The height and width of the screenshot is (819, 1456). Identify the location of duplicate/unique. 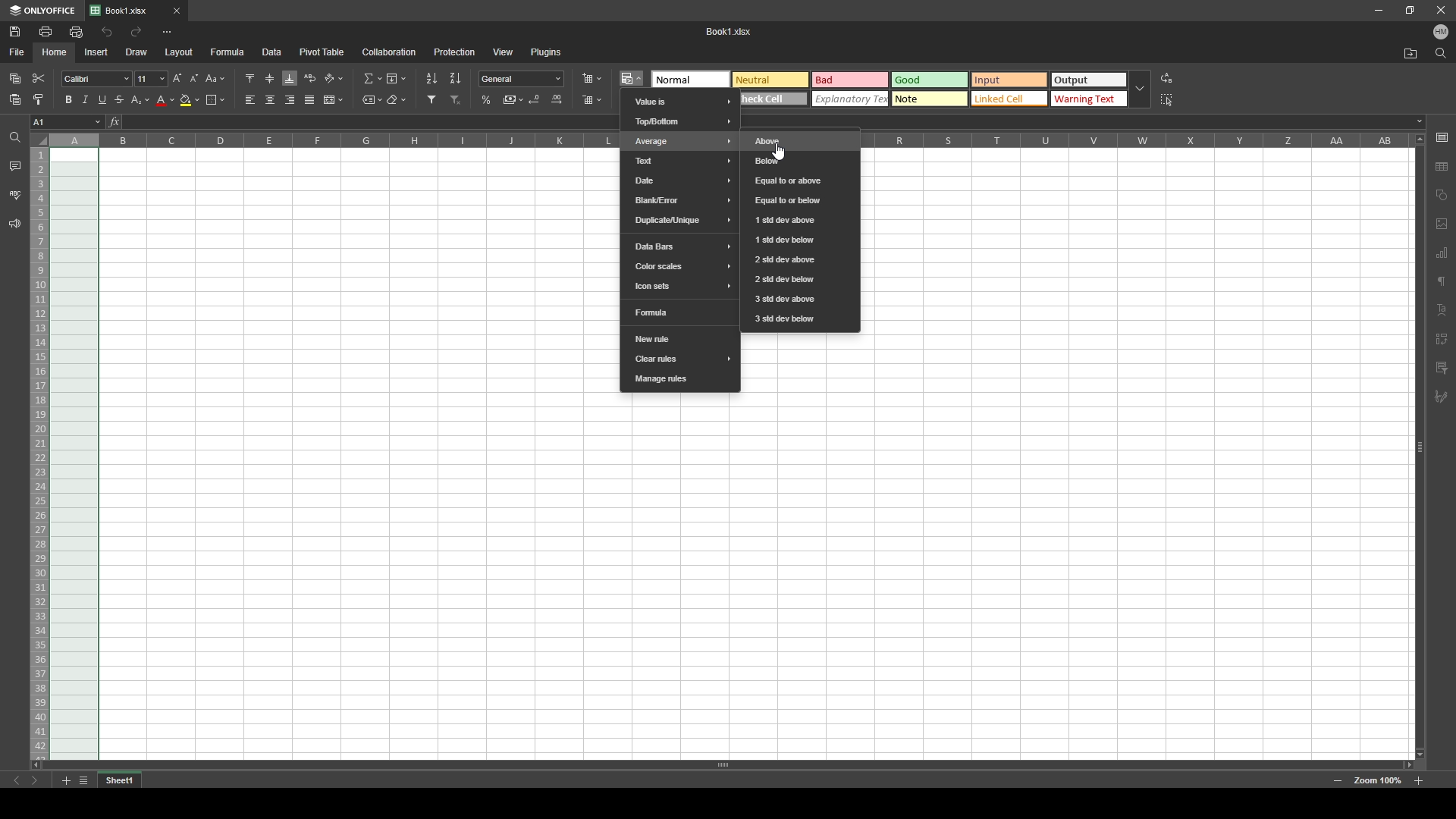
(680, 221).